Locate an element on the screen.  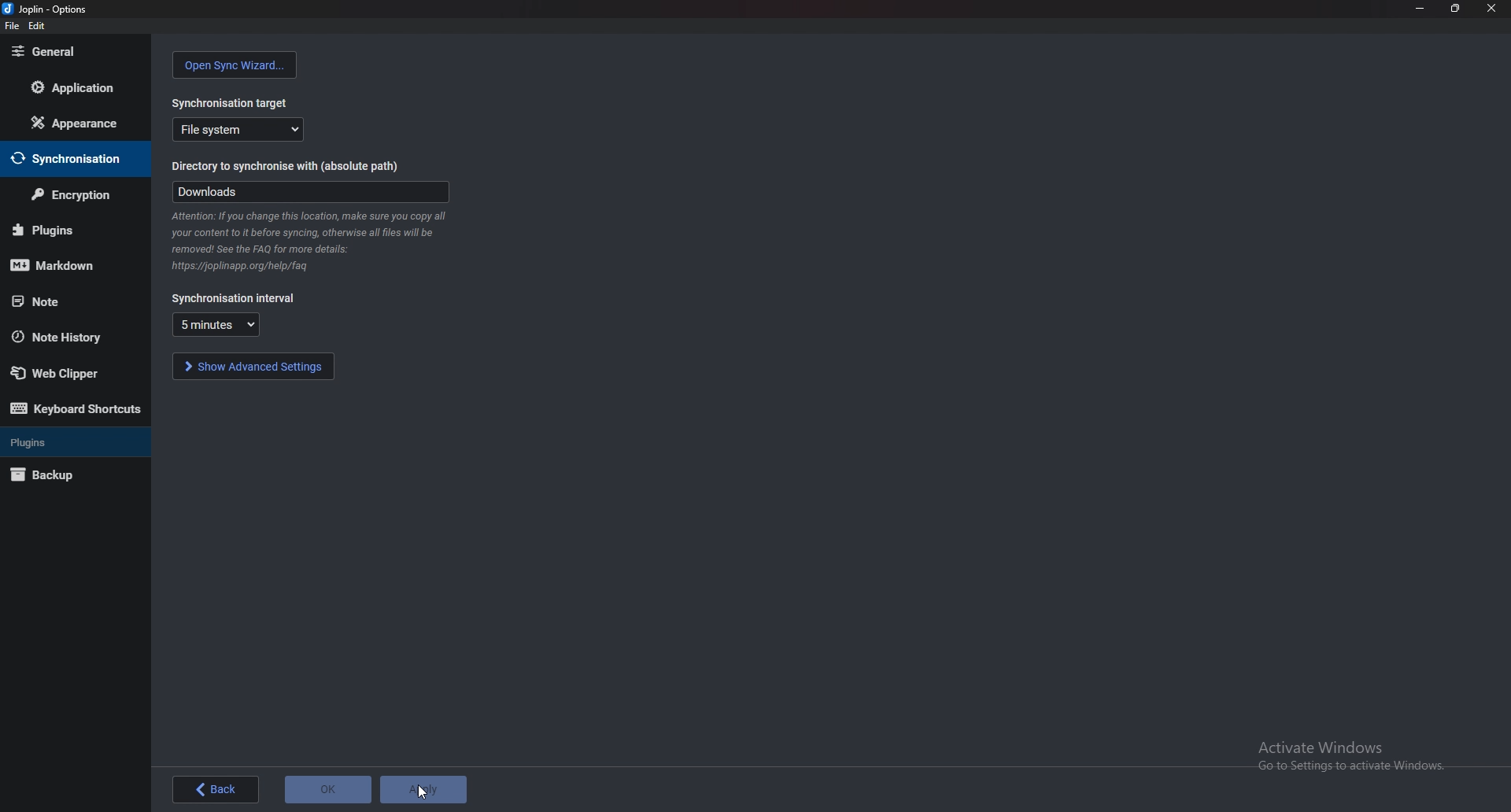
Plugins is located at coordinates (68, 231).